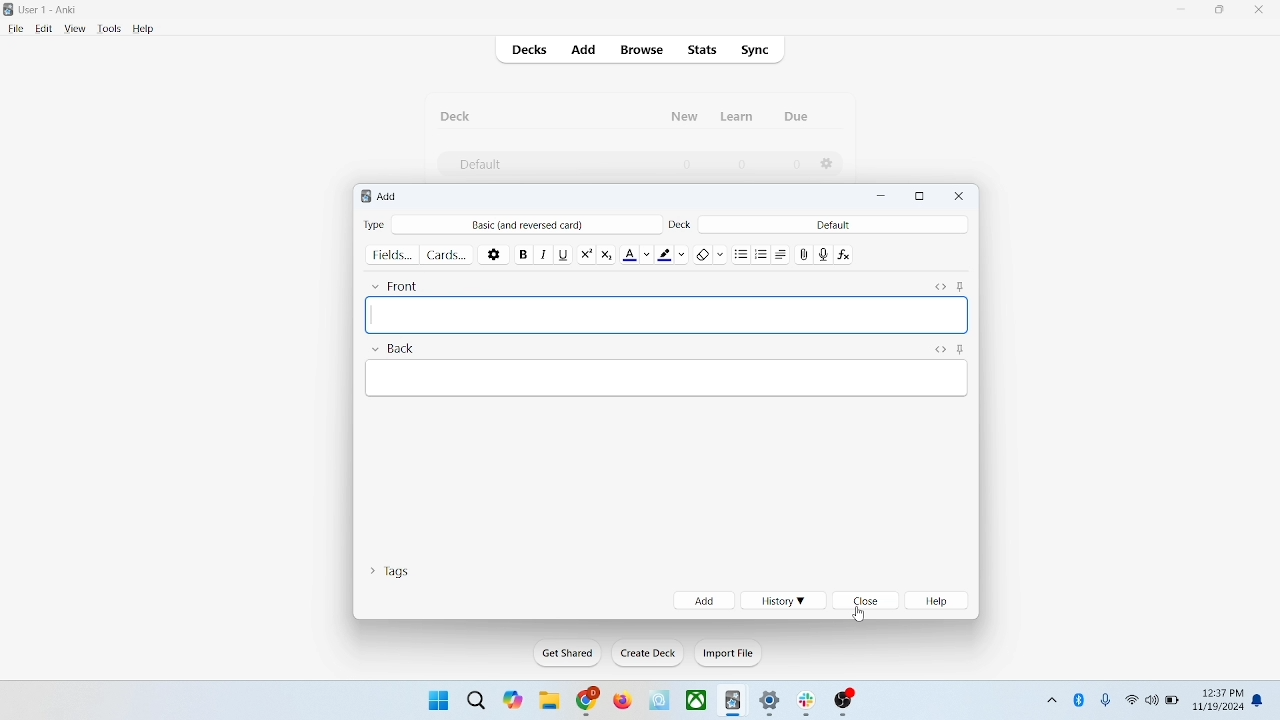 The height and width of the screenshot is (720, 1280). I want to click on 0, so click(796, 165).